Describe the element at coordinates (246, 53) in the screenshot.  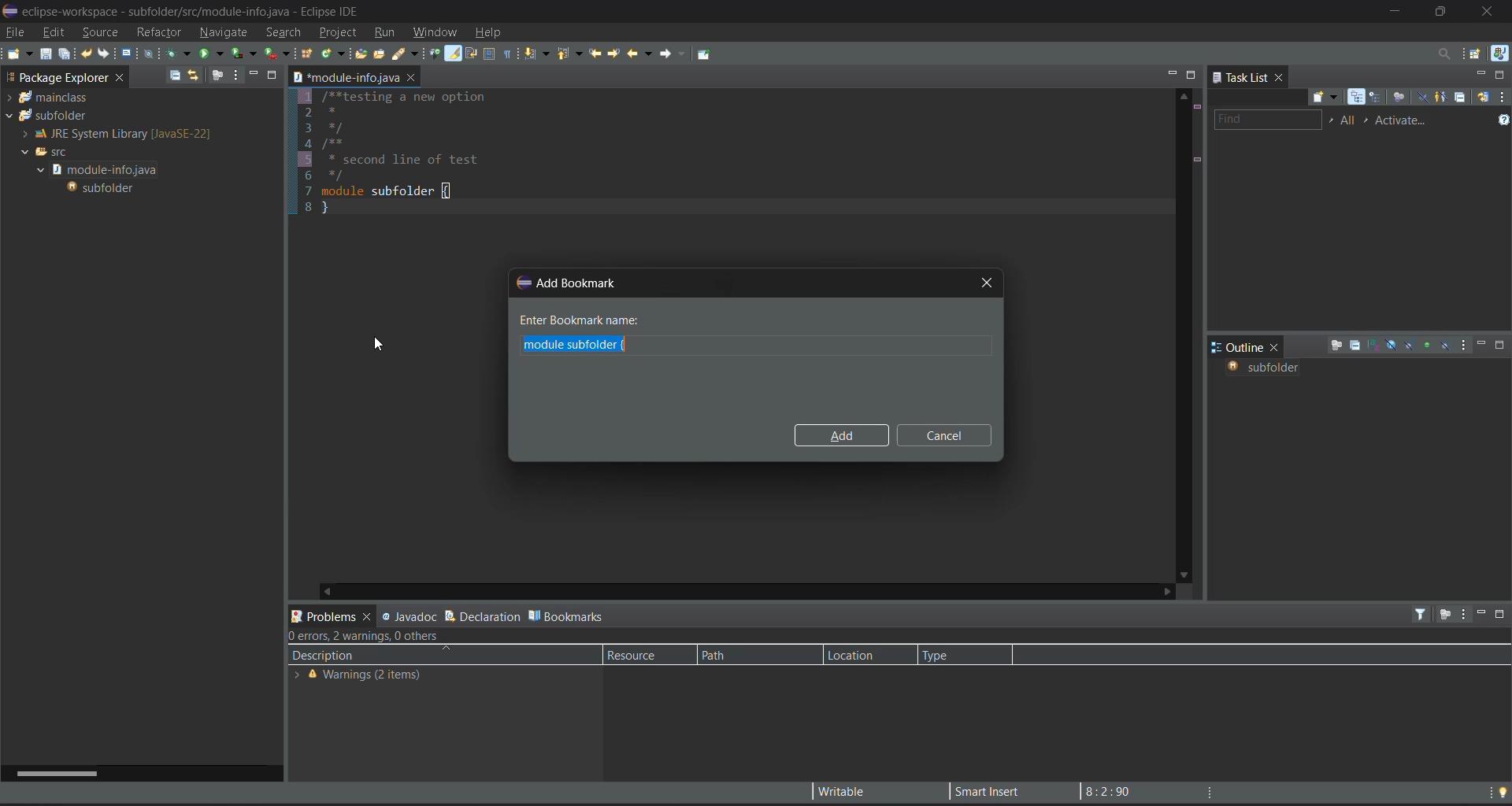
I see `coverage` at that location.